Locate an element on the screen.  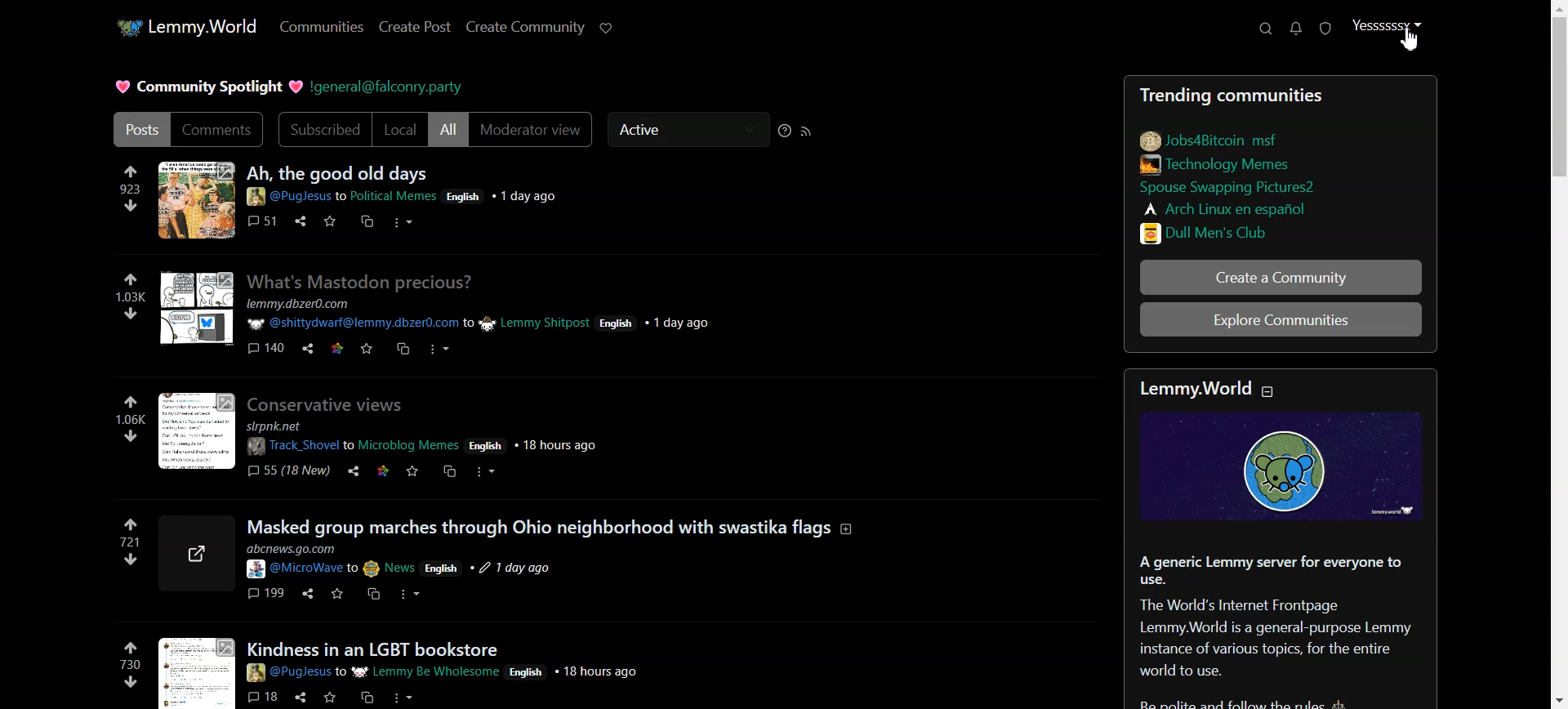
numbers is located at coordinates (129, 542).